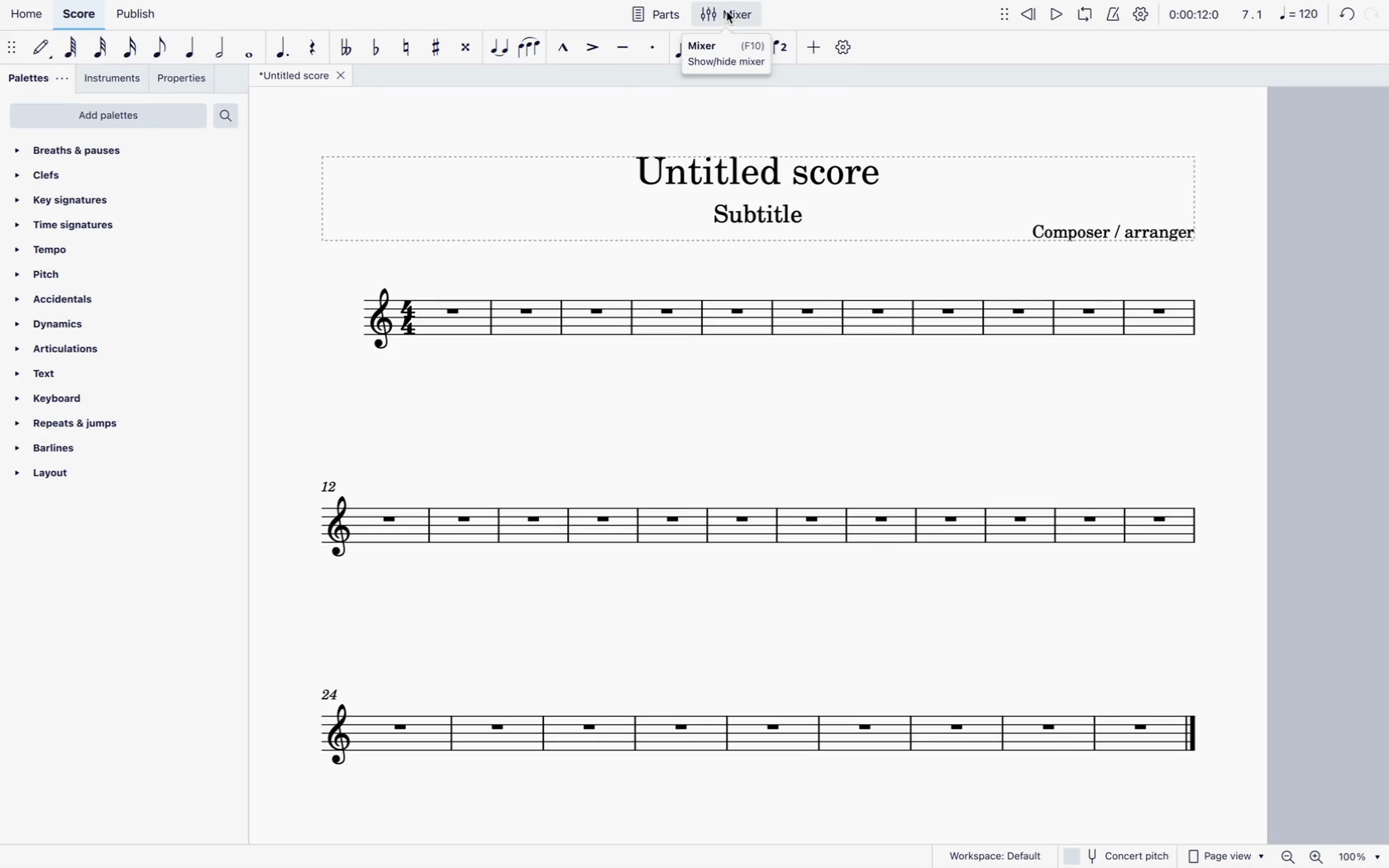 The image size is (1389, 868). Describe the element at coordinates (107, 116) in the screenshot. I see `add palettes` at that location.